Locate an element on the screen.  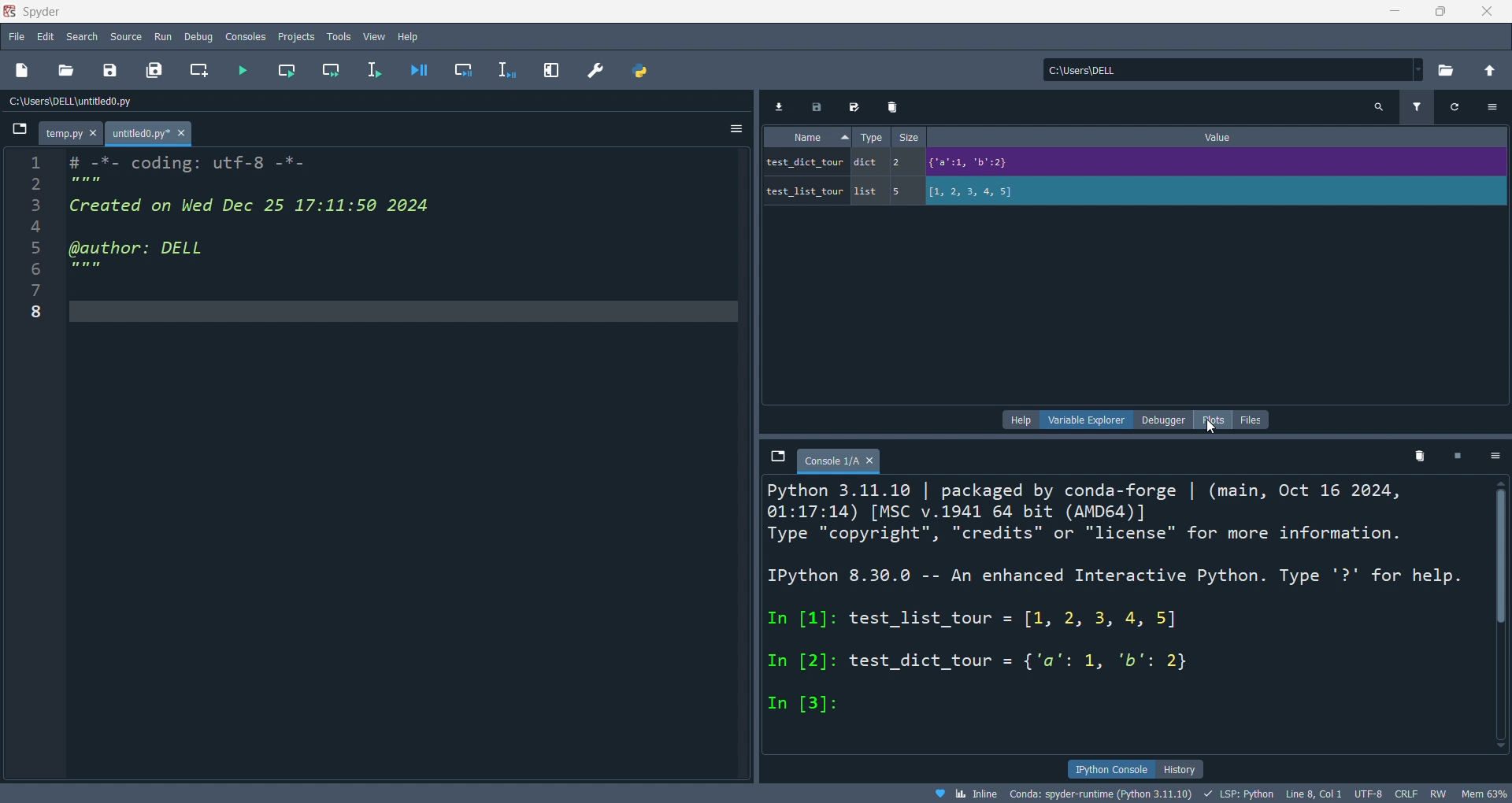
maximize/restore is located at coordinates (1440, 12).